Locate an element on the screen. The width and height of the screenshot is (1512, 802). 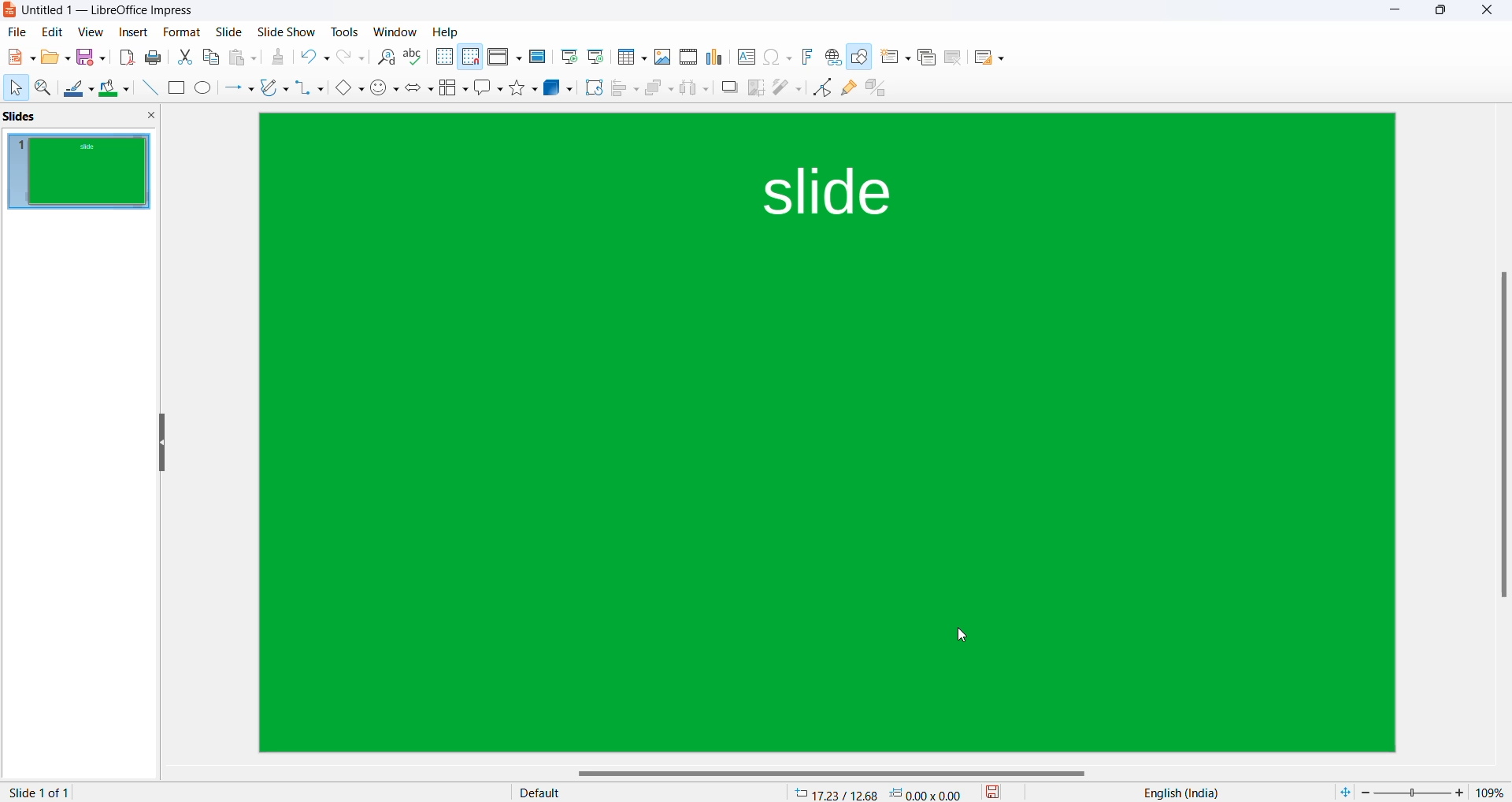
rectangle  is located at coordinates (176, 87).